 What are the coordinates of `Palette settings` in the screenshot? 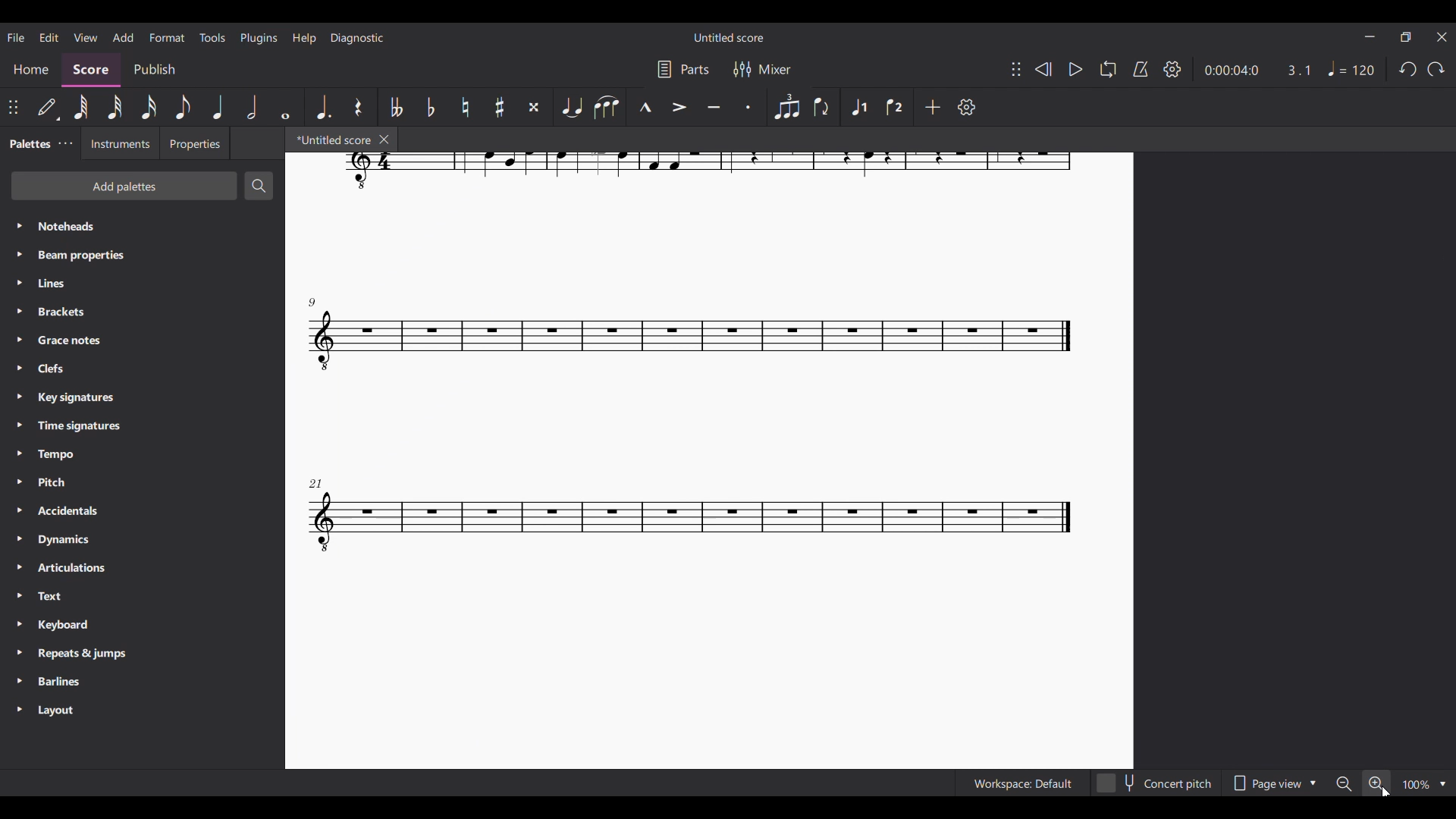 It's located at (66, 143).